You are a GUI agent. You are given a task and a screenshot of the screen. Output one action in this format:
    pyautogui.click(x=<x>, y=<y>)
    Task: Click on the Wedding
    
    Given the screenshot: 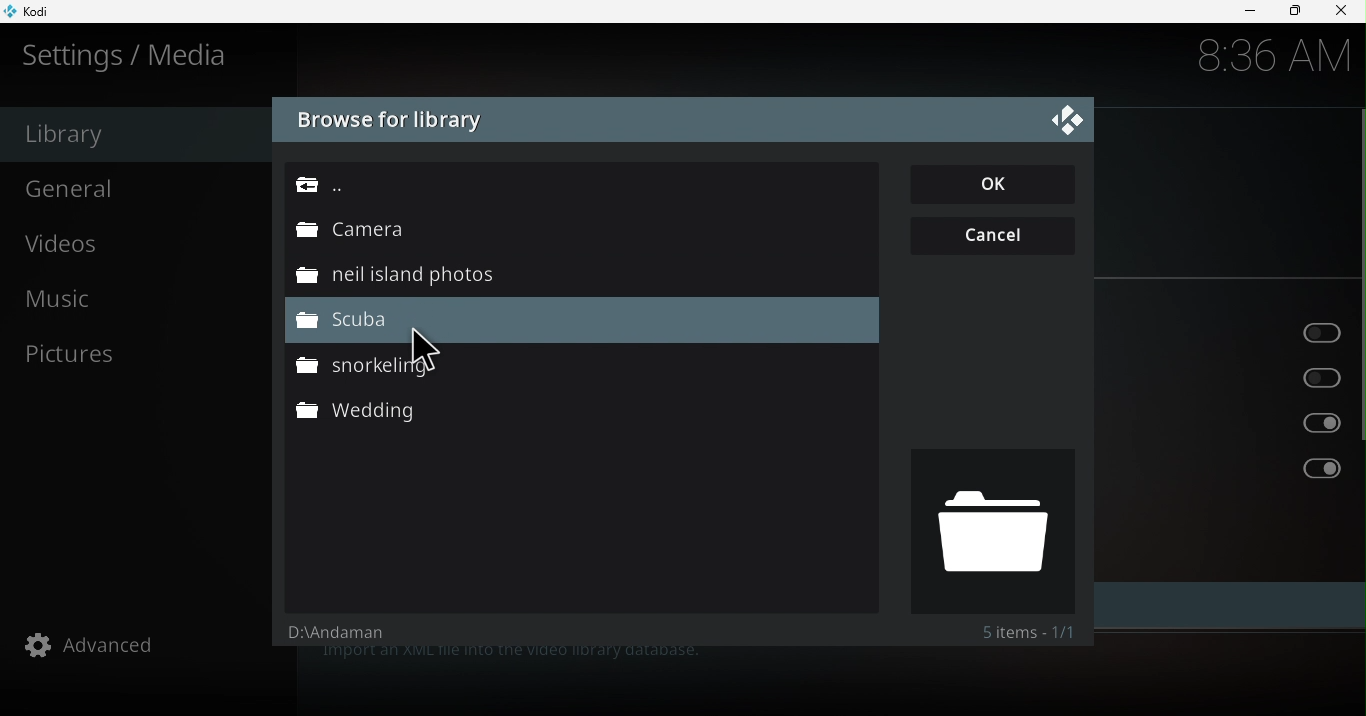 What is the action you would take?
    pyautogui.click(x=578, y=412)
    